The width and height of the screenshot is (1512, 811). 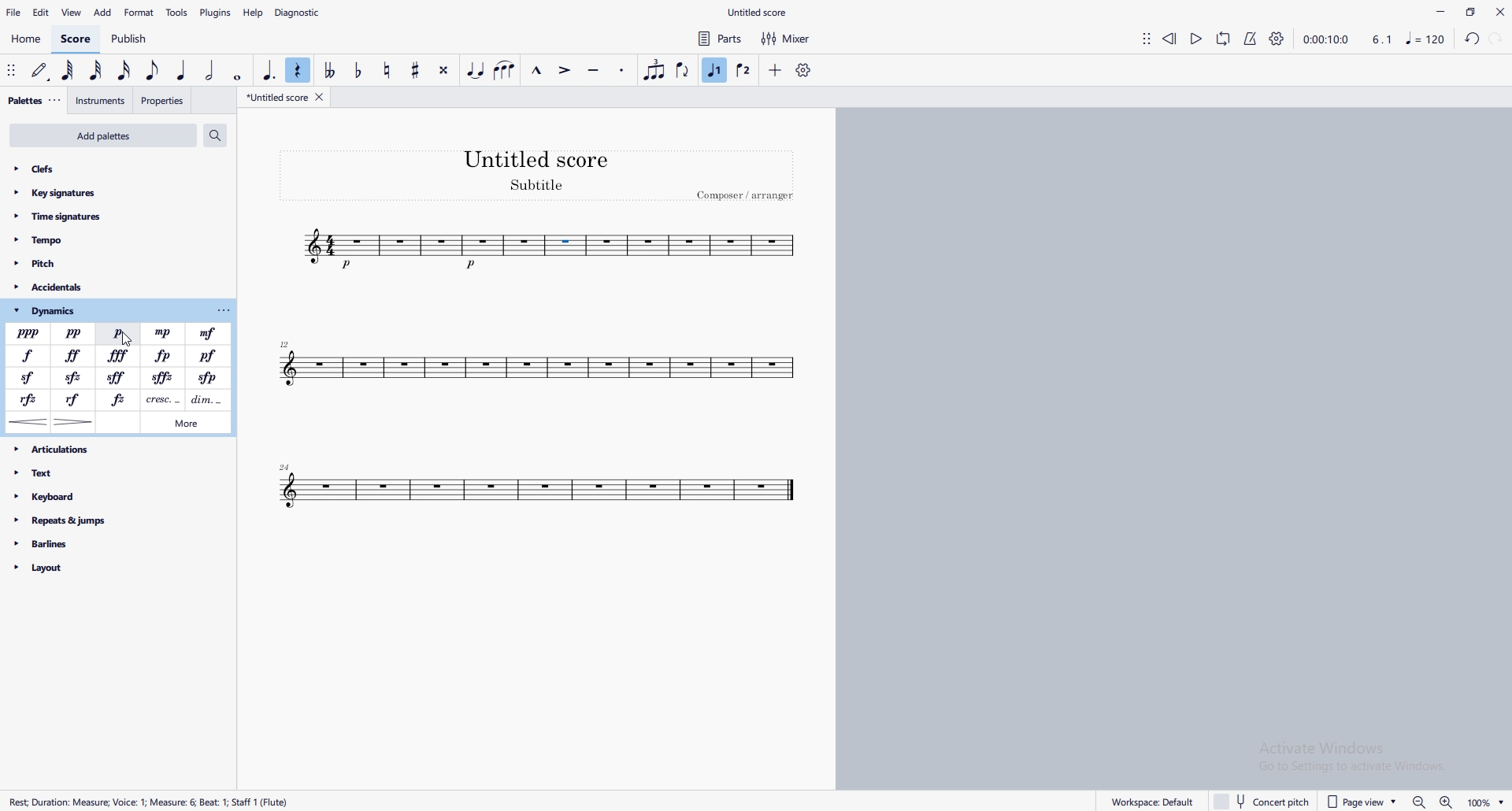 What do you see at coordinates (1364, 760) in the screenshot?
I see `Activate windows pop up` at bounding box center [1364, 760].